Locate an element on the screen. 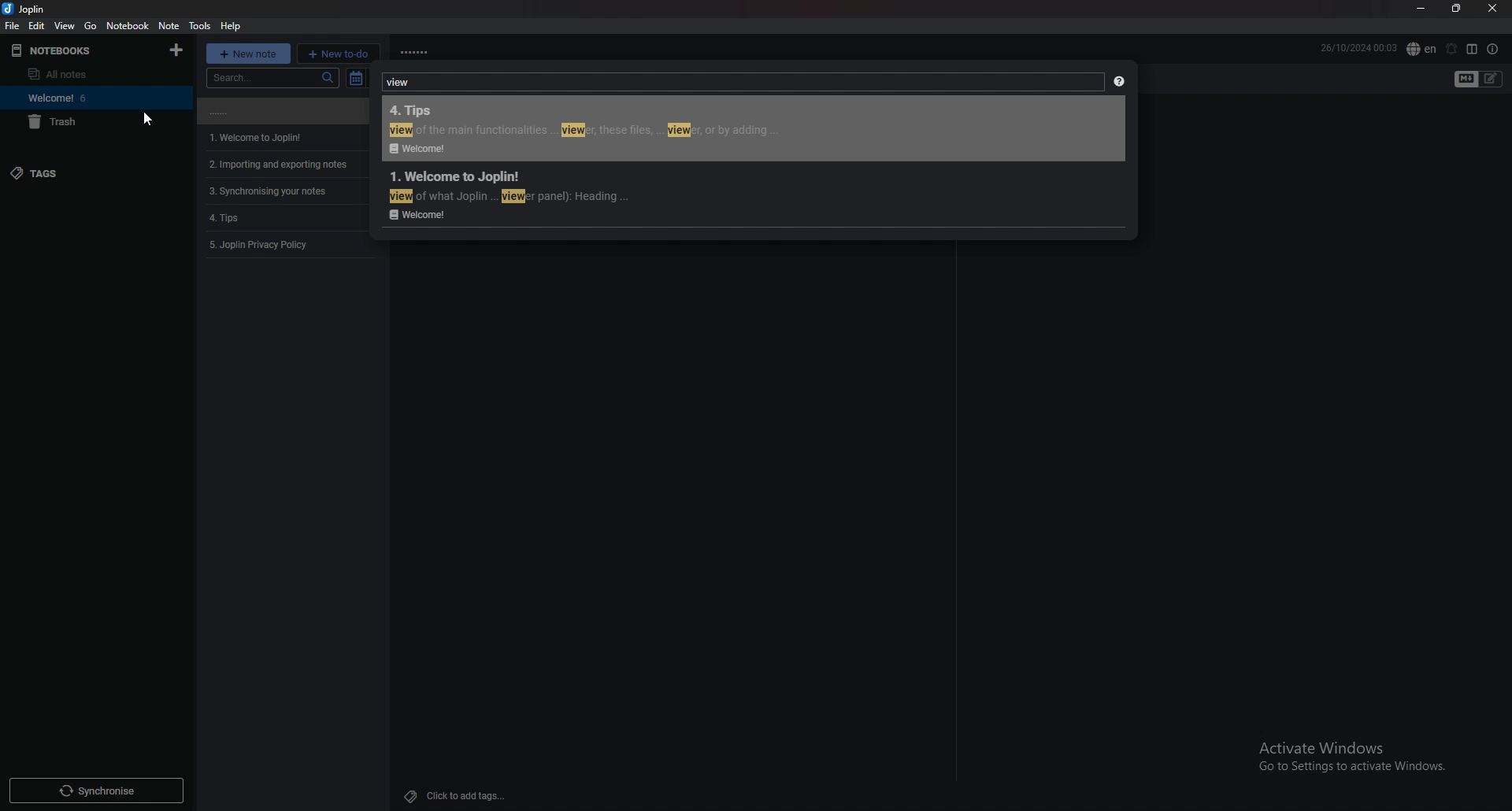 This screenshot has width=1512, height=811. note 5 is located at coordinates (287, 217).